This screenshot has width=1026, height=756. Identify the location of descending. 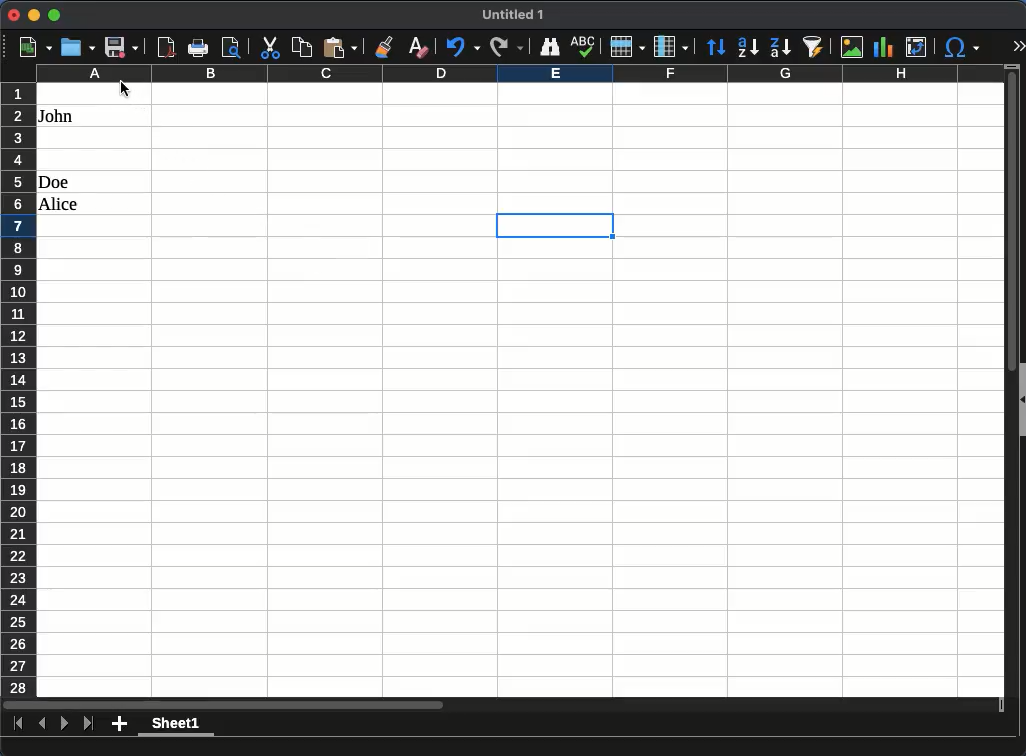
(781, 48).